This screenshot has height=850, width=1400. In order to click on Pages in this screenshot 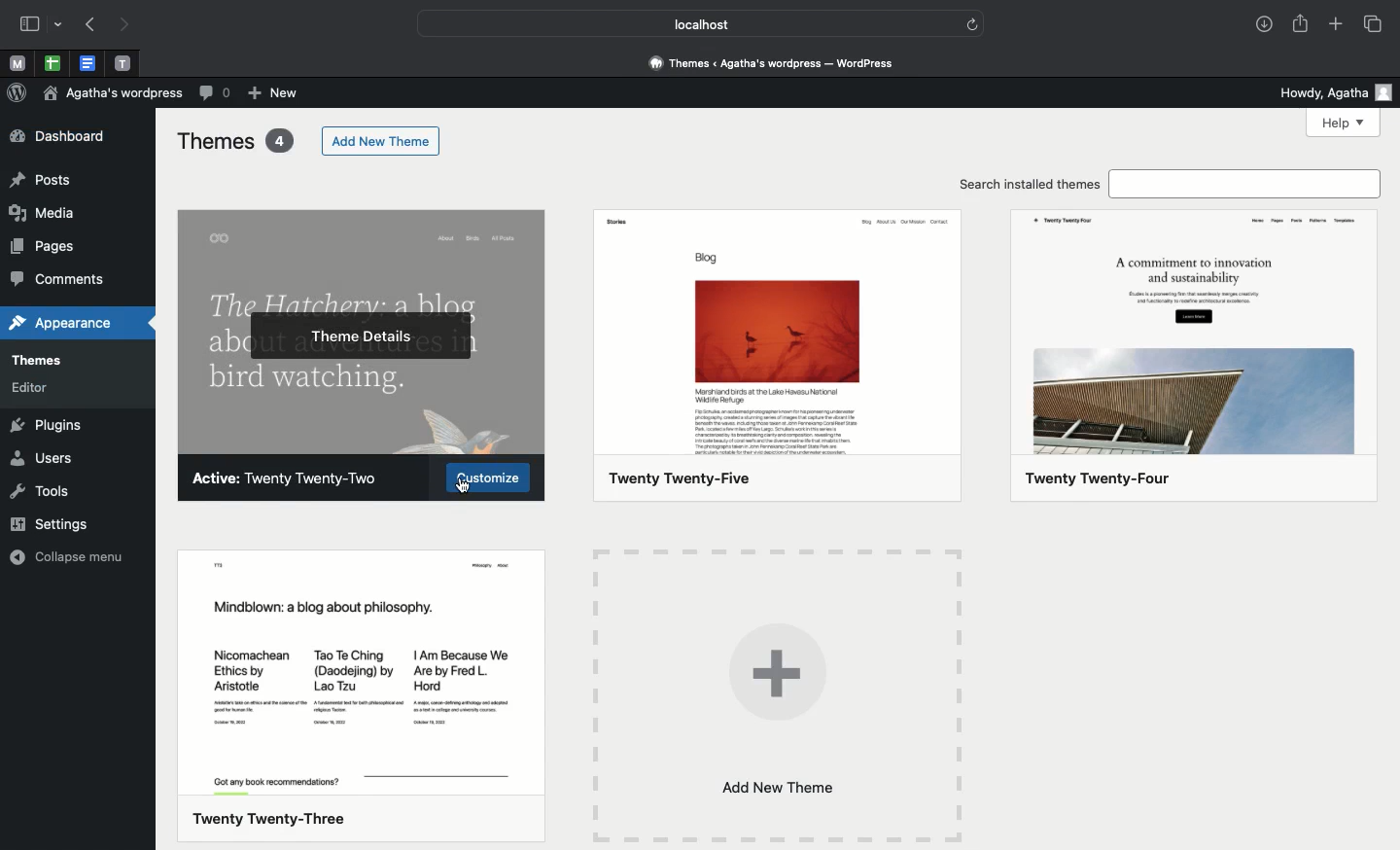, I will do `click(47, 244)`.